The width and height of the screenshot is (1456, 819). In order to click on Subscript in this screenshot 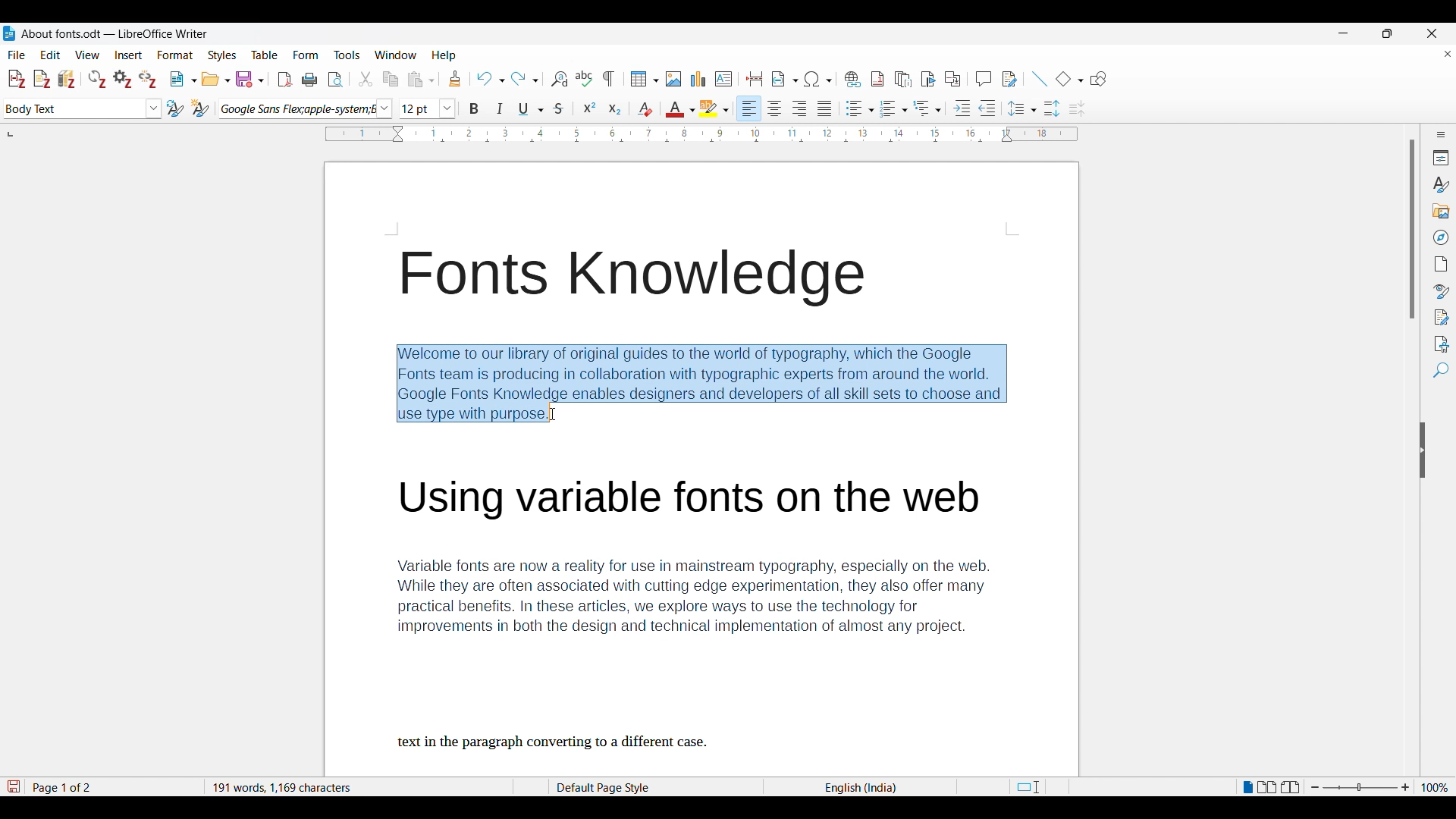, I will do `click(615, 108)`.